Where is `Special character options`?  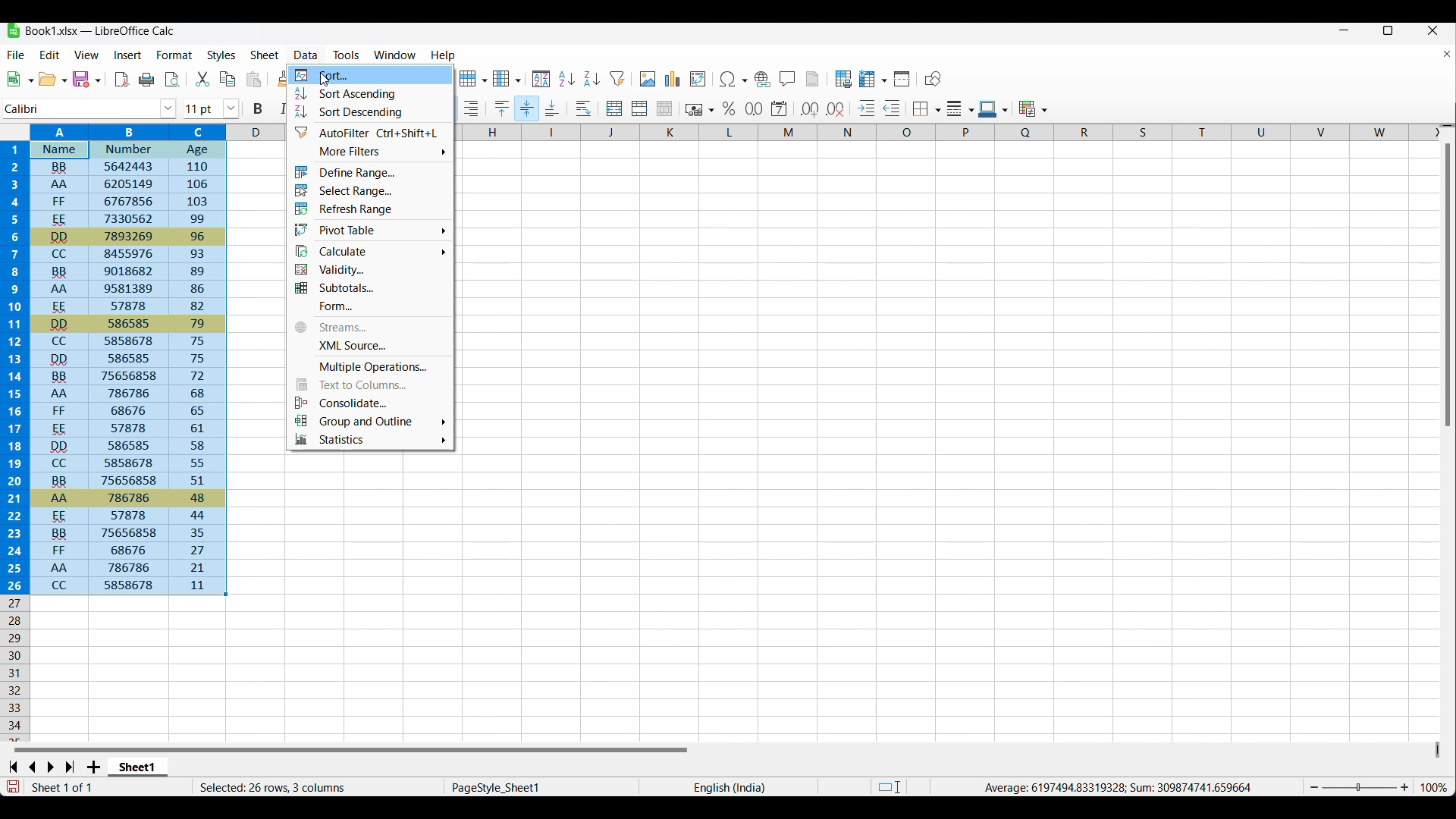
Special character options is located at coordinates (733, 79).